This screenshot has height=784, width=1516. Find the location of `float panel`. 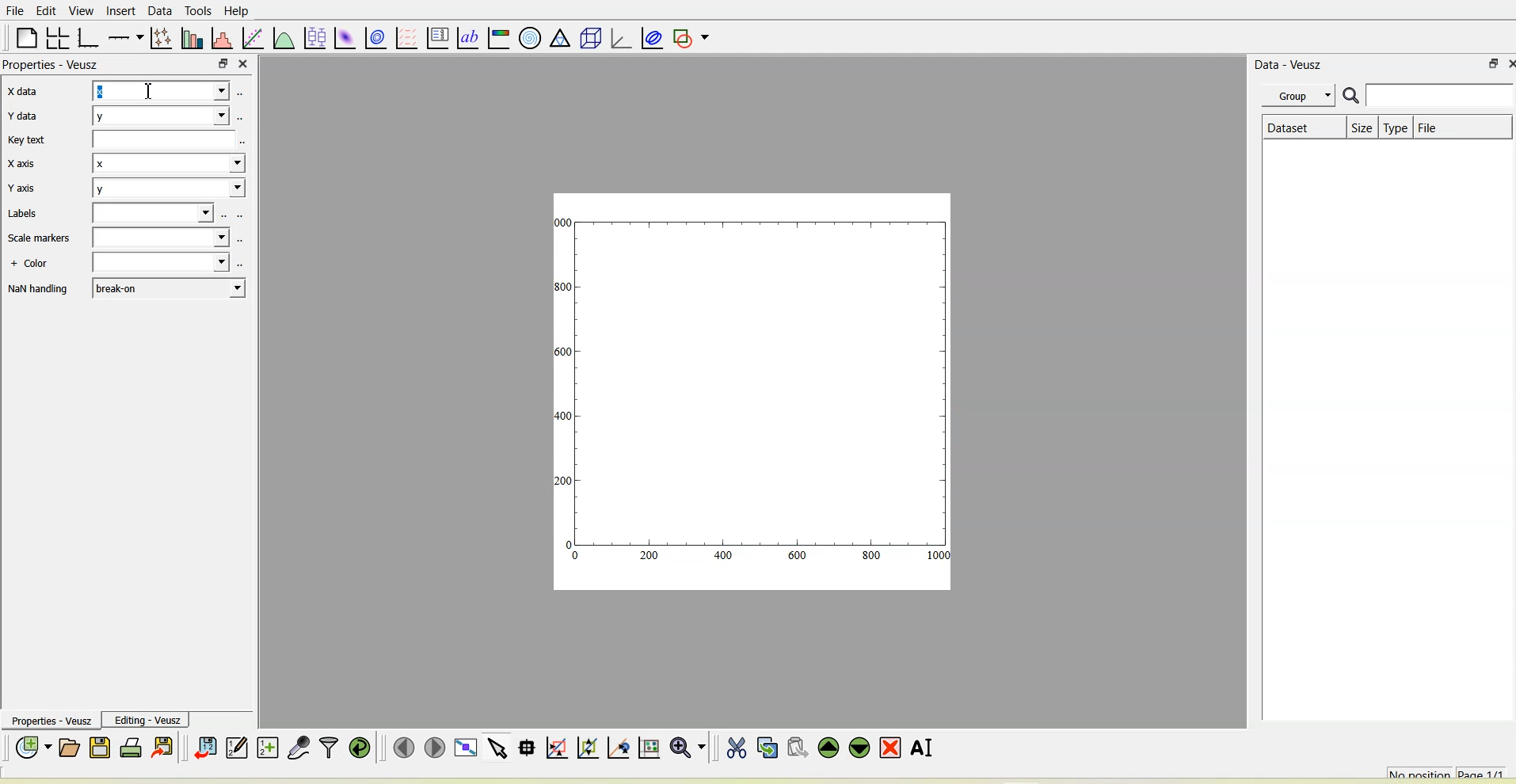

float panel is located at coordinates (224, 63).